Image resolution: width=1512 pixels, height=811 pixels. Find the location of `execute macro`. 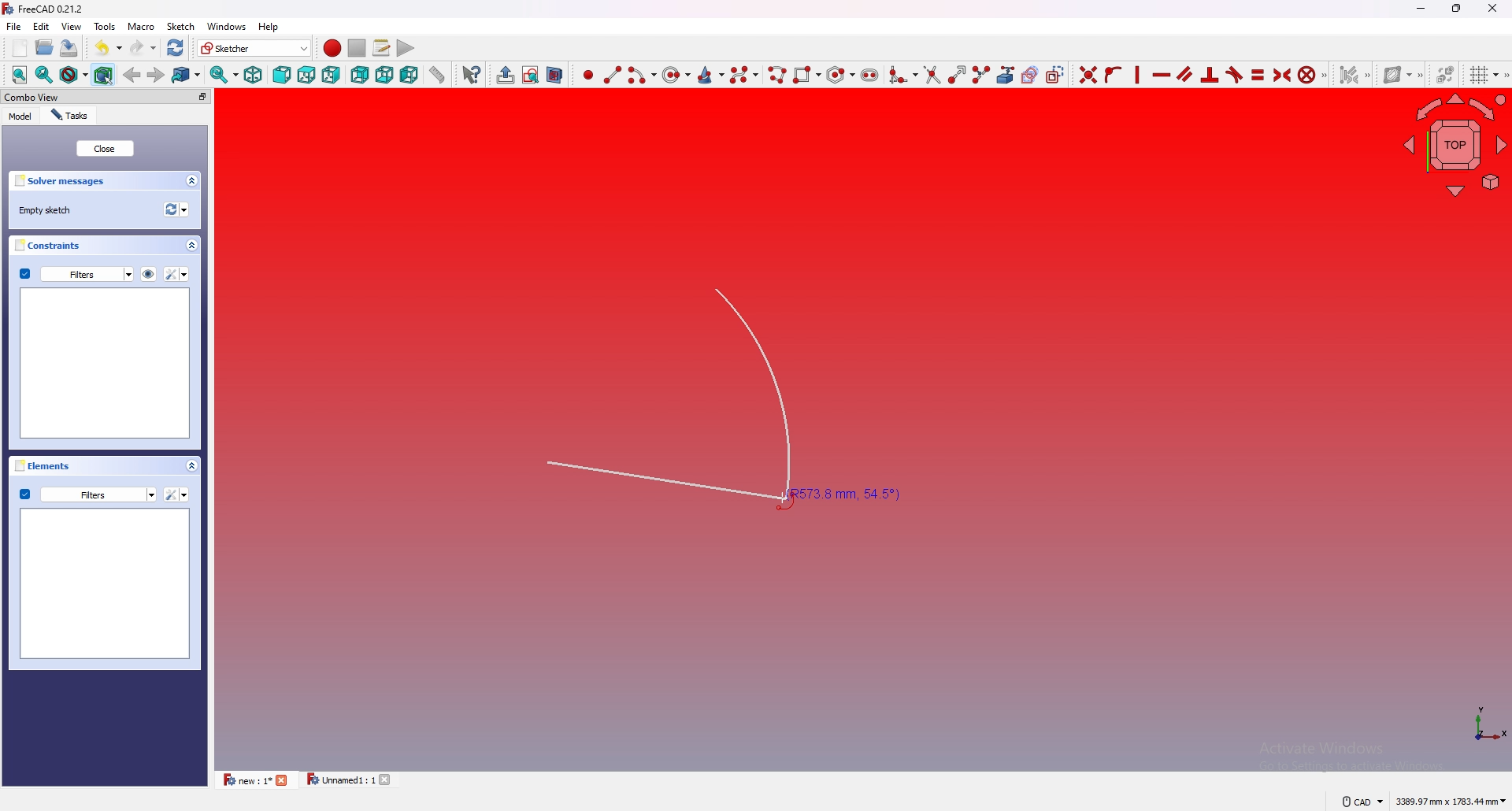

execute macro is located at coordinates (406, 48).